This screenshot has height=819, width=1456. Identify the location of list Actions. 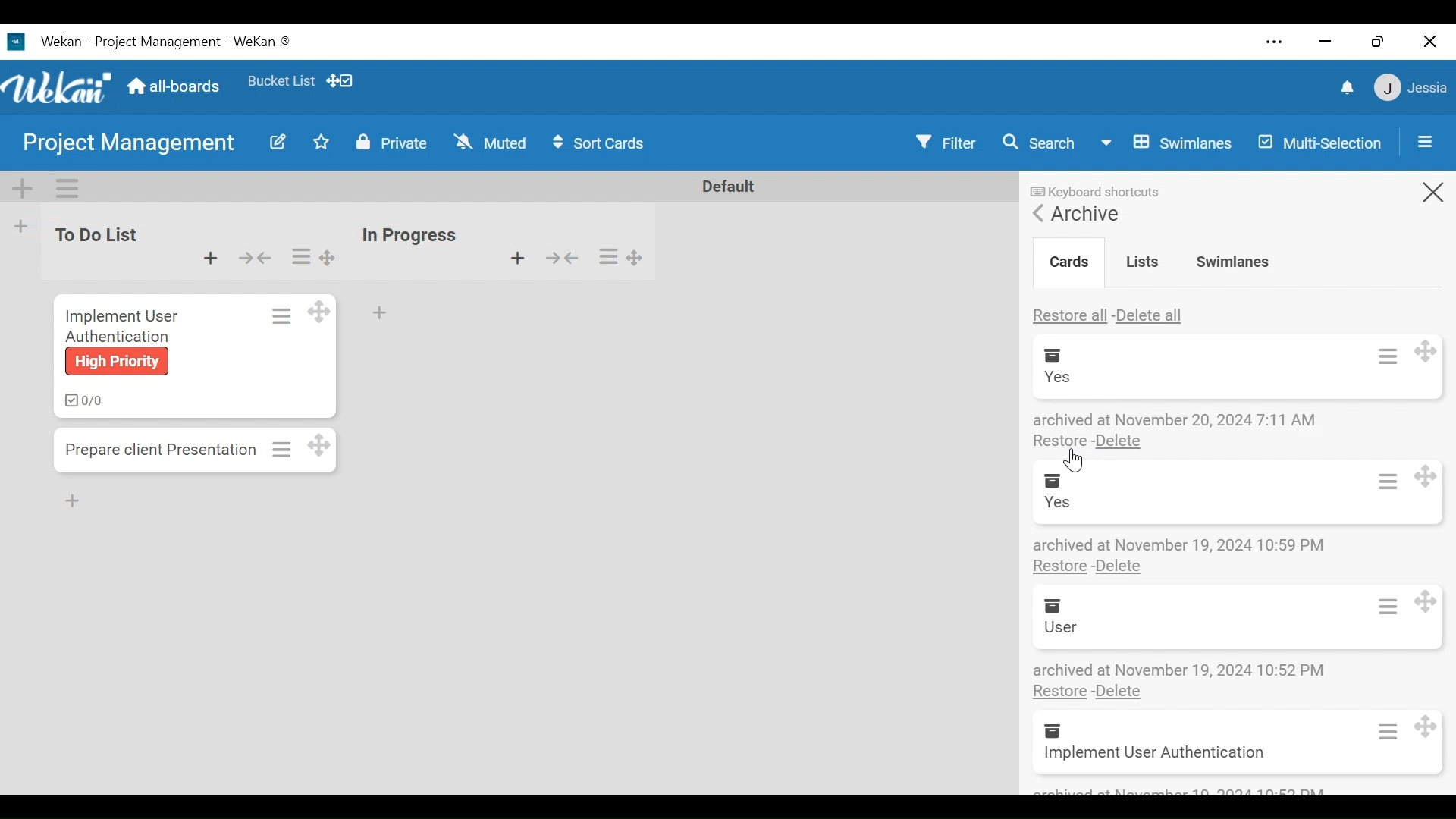
(609, 255).